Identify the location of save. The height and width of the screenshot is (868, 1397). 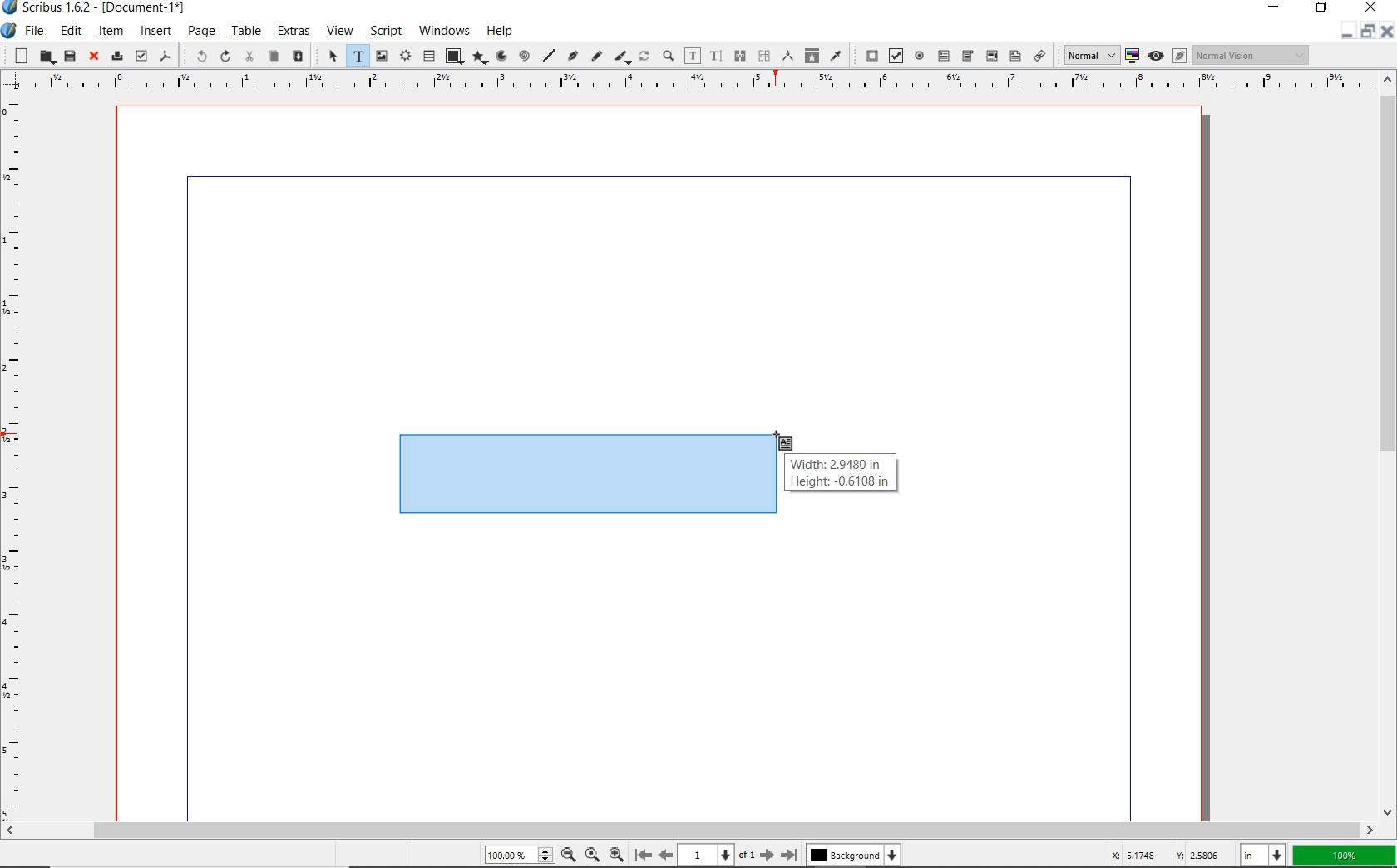
(69, 56).